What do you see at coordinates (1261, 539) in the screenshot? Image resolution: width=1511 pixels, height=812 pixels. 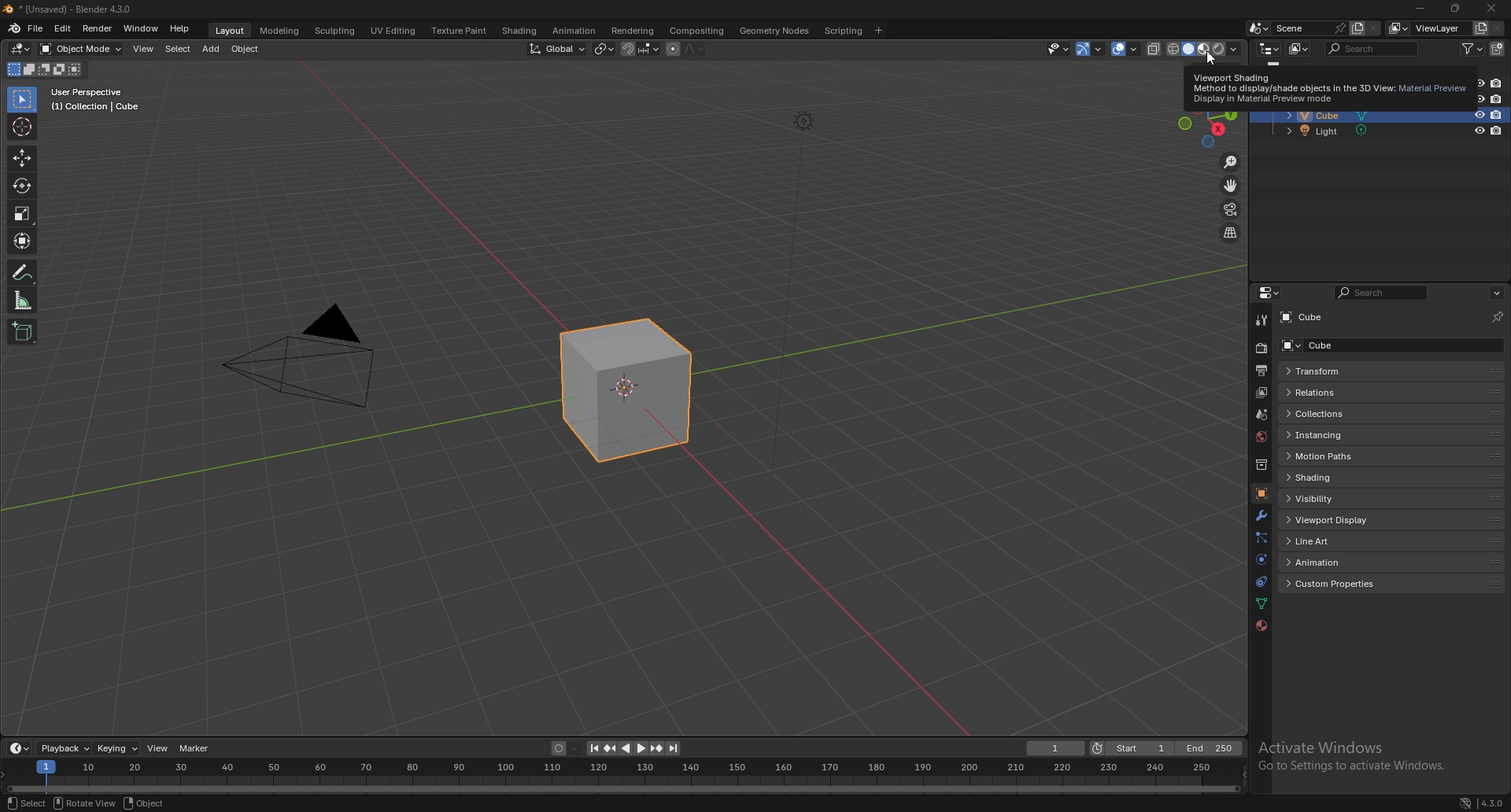 I see `particles` at bounding box center [1261, 539].